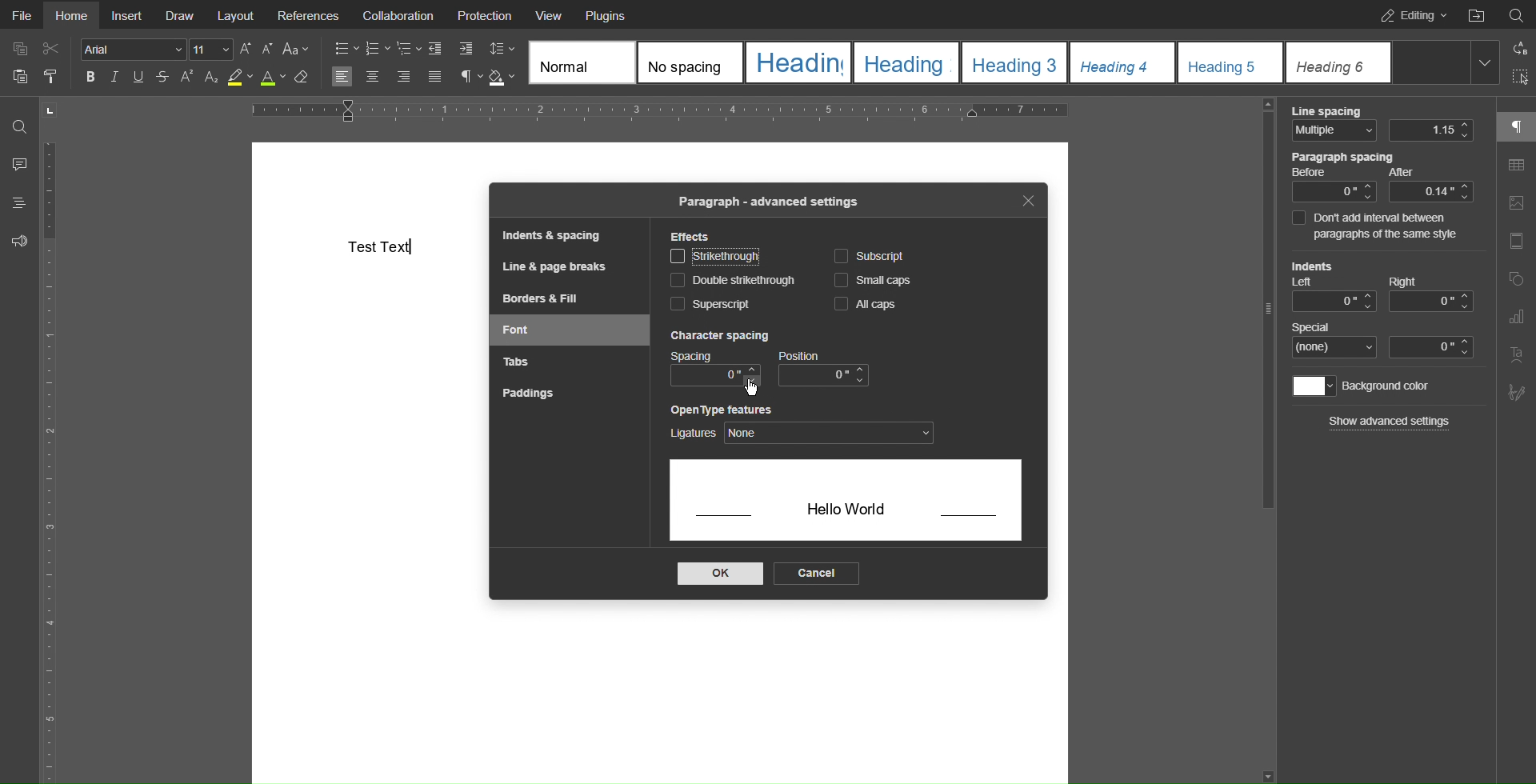  What do you see at coordinates (1268, 314) in the screenshot?
I see `slider` at bounding box center [1268, 314].